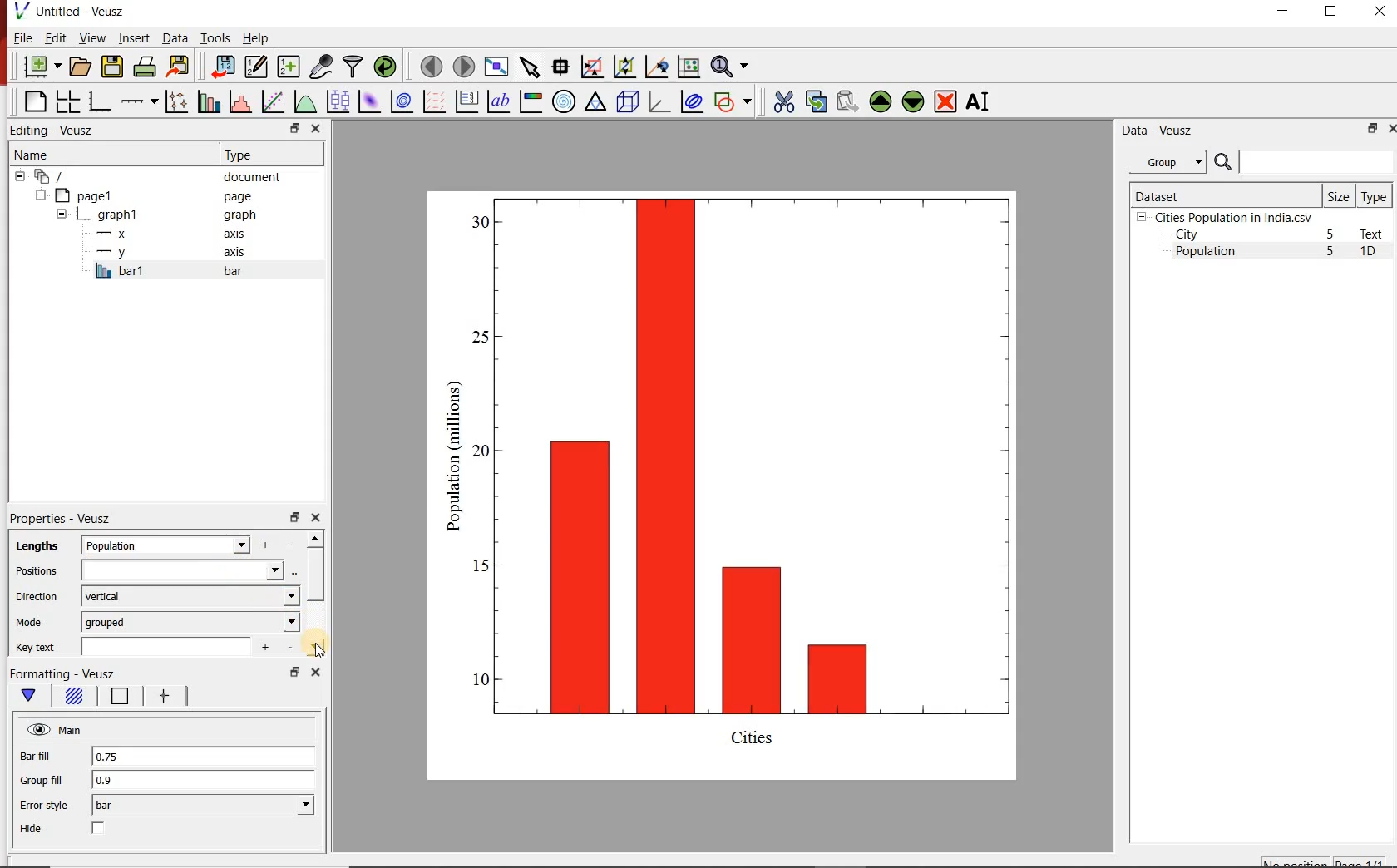 This screenshot has width=1397, height=868. What do you see at coordinates (318, 128) in the screenshot?
I see `close` at bounding box center [318, 128].